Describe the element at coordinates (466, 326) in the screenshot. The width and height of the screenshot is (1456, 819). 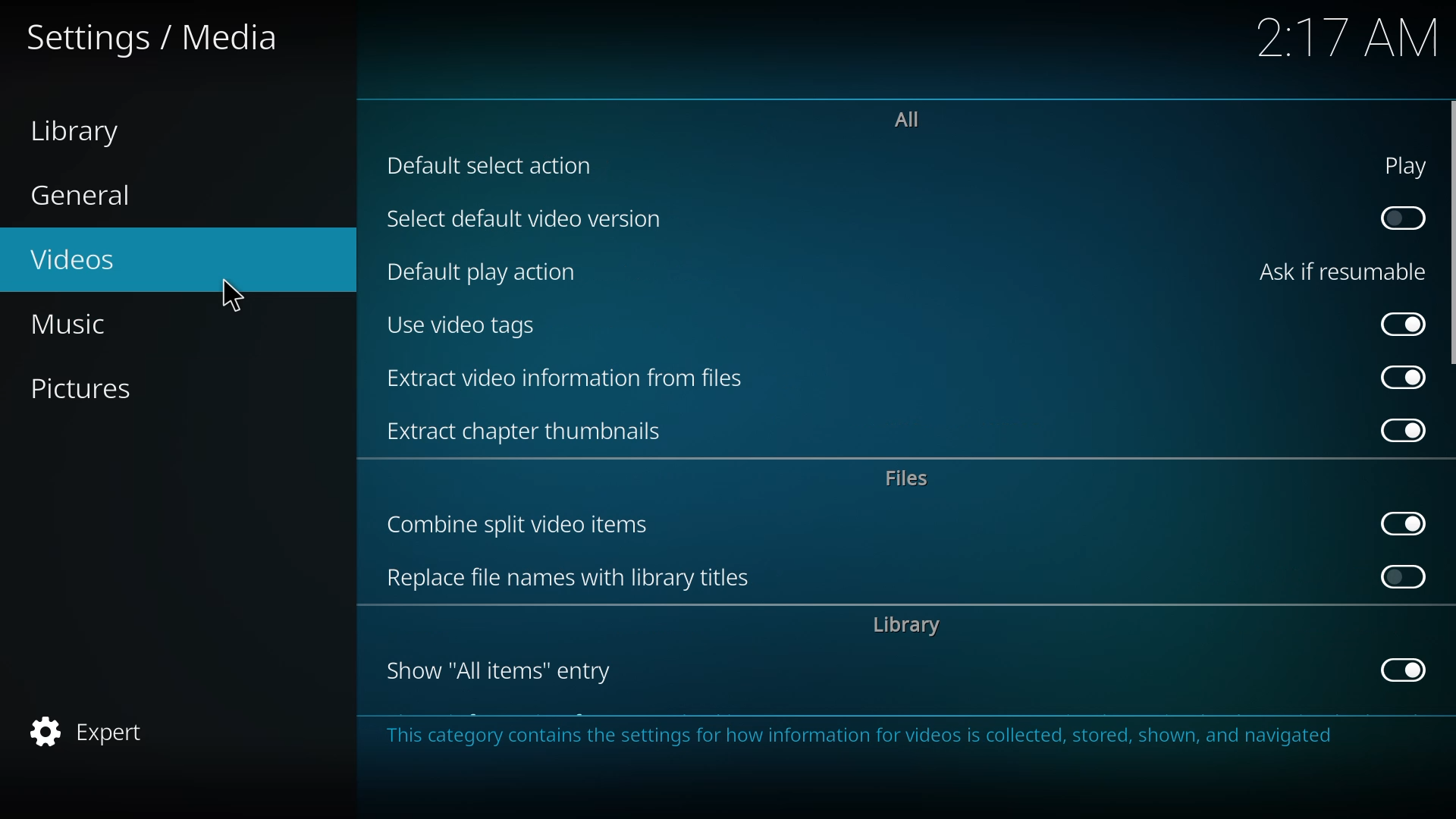
I see `use video tags` at that location.